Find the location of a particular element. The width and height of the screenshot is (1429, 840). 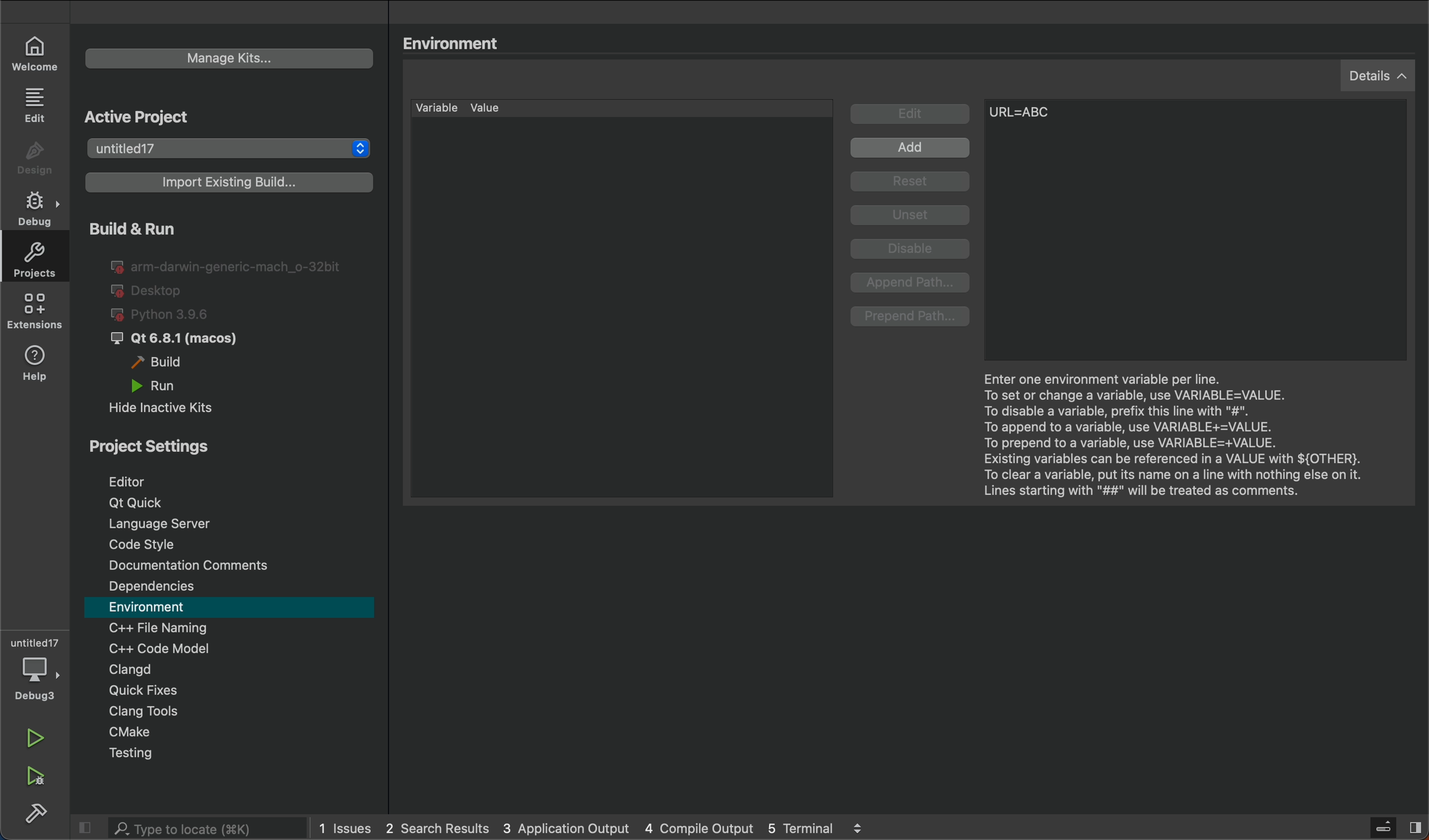

Project Settings is located at coordinates (223, 443).